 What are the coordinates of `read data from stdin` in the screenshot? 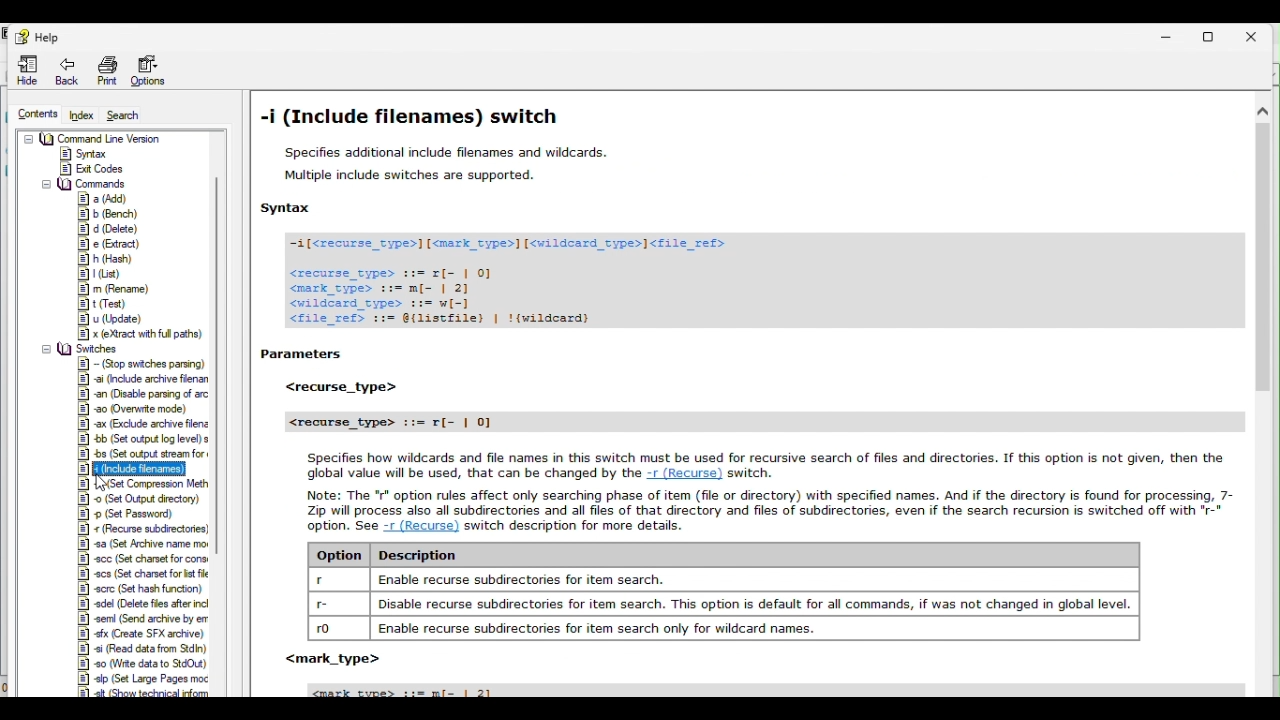 It's located at (141, 650).